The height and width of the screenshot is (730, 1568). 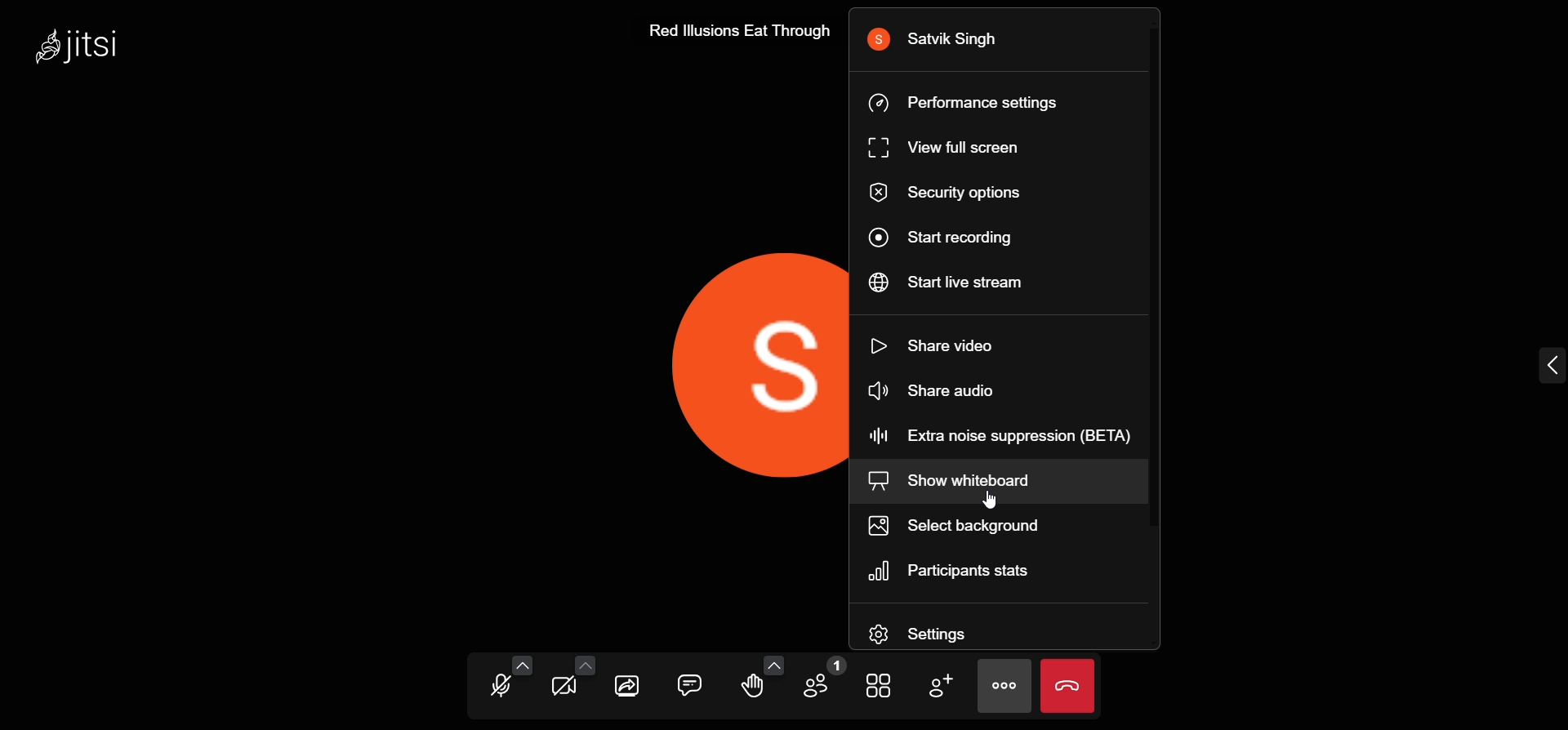 What do you see at coordinates (1069, 686) in the screenshot?
I see `end call` at bounding box center [1069, 686].